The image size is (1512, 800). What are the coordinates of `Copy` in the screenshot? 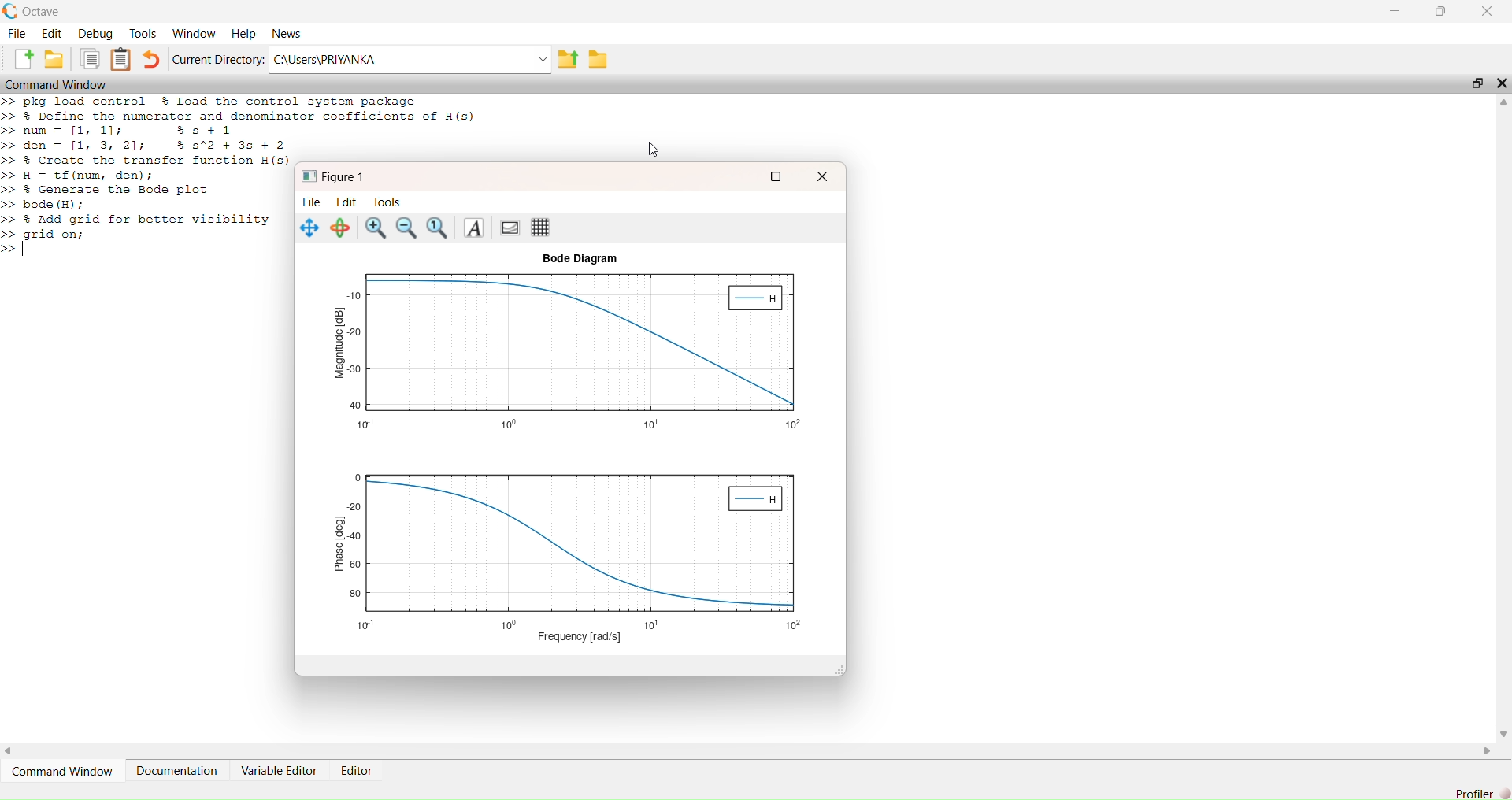 It's located at (90, 58).